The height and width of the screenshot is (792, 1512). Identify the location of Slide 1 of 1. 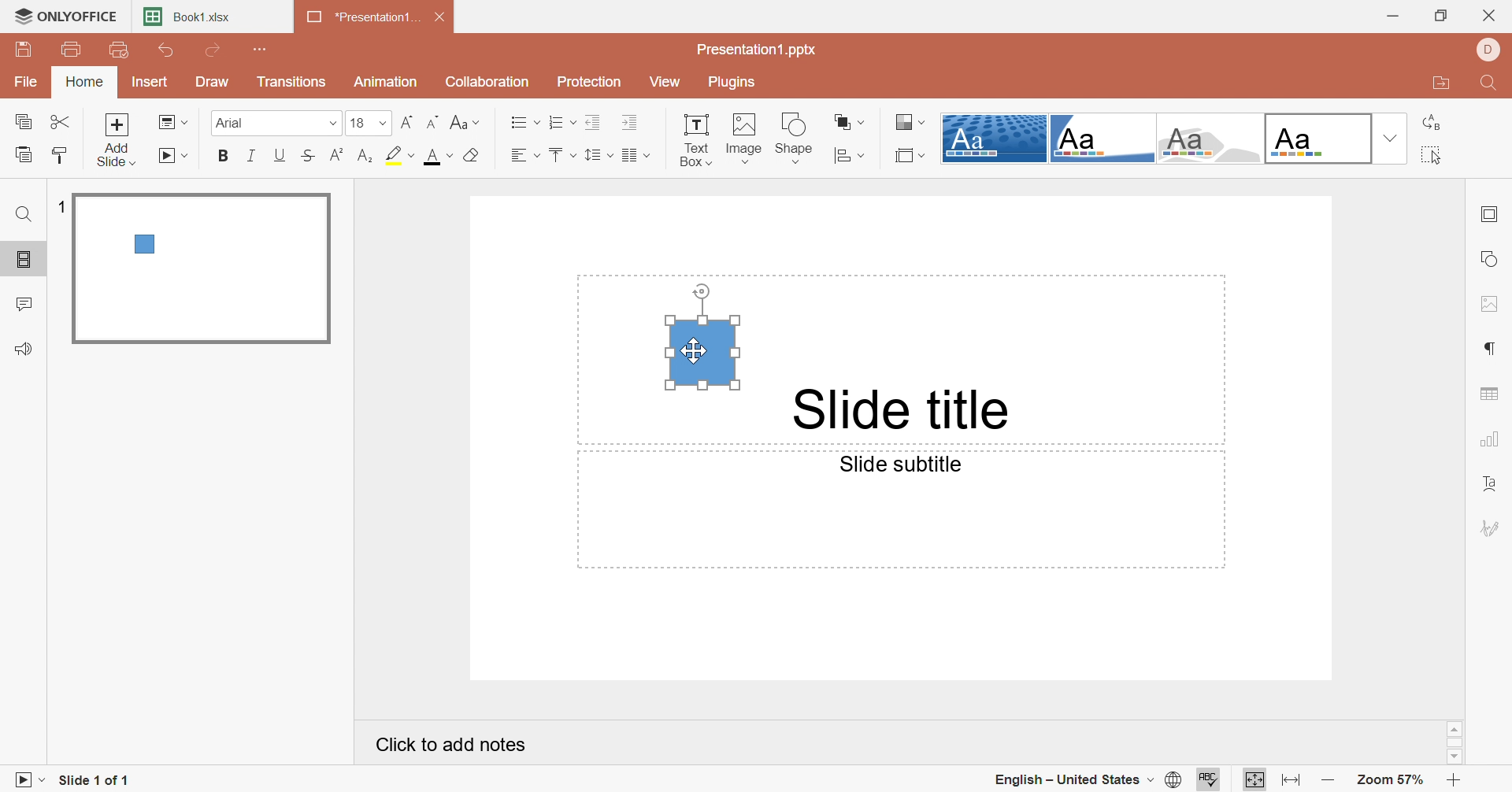
(100, 779).